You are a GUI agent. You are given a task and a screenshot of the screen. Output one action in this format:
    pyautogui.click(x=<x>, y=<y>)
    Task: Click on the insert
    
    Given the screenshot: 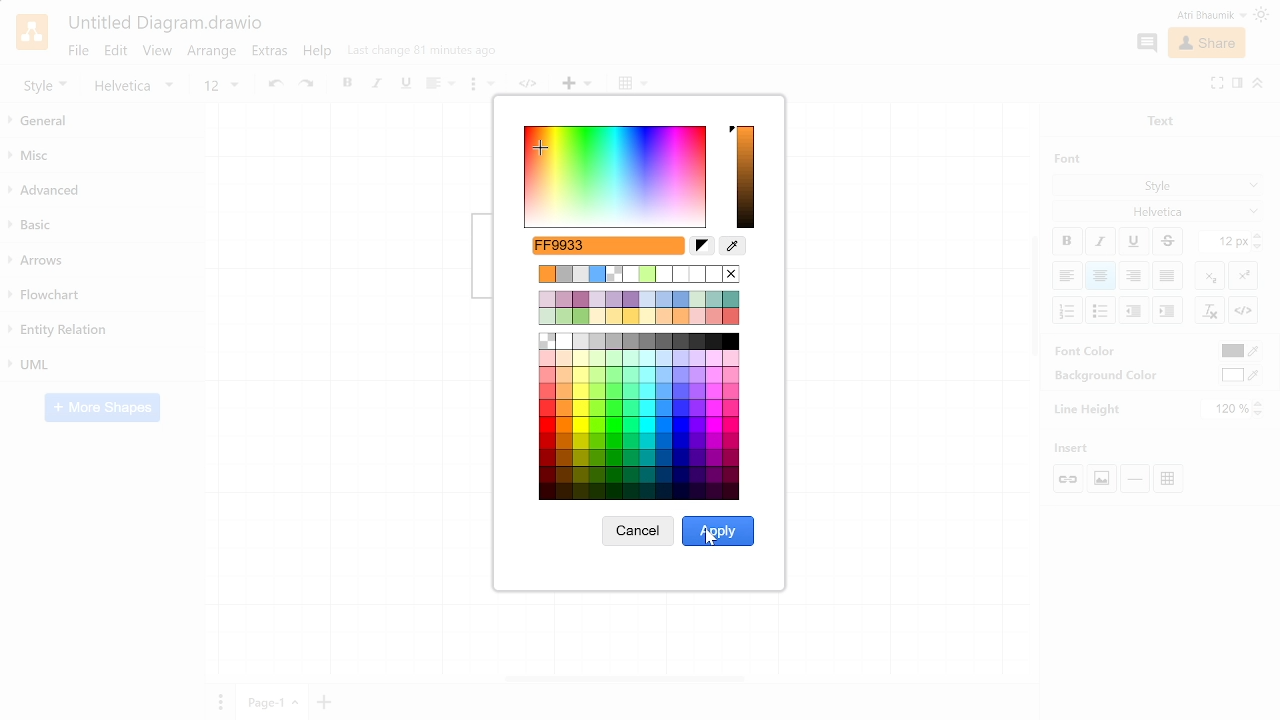 What is the action you would take?
    pyautogui.click(x=1078, y=448)
    